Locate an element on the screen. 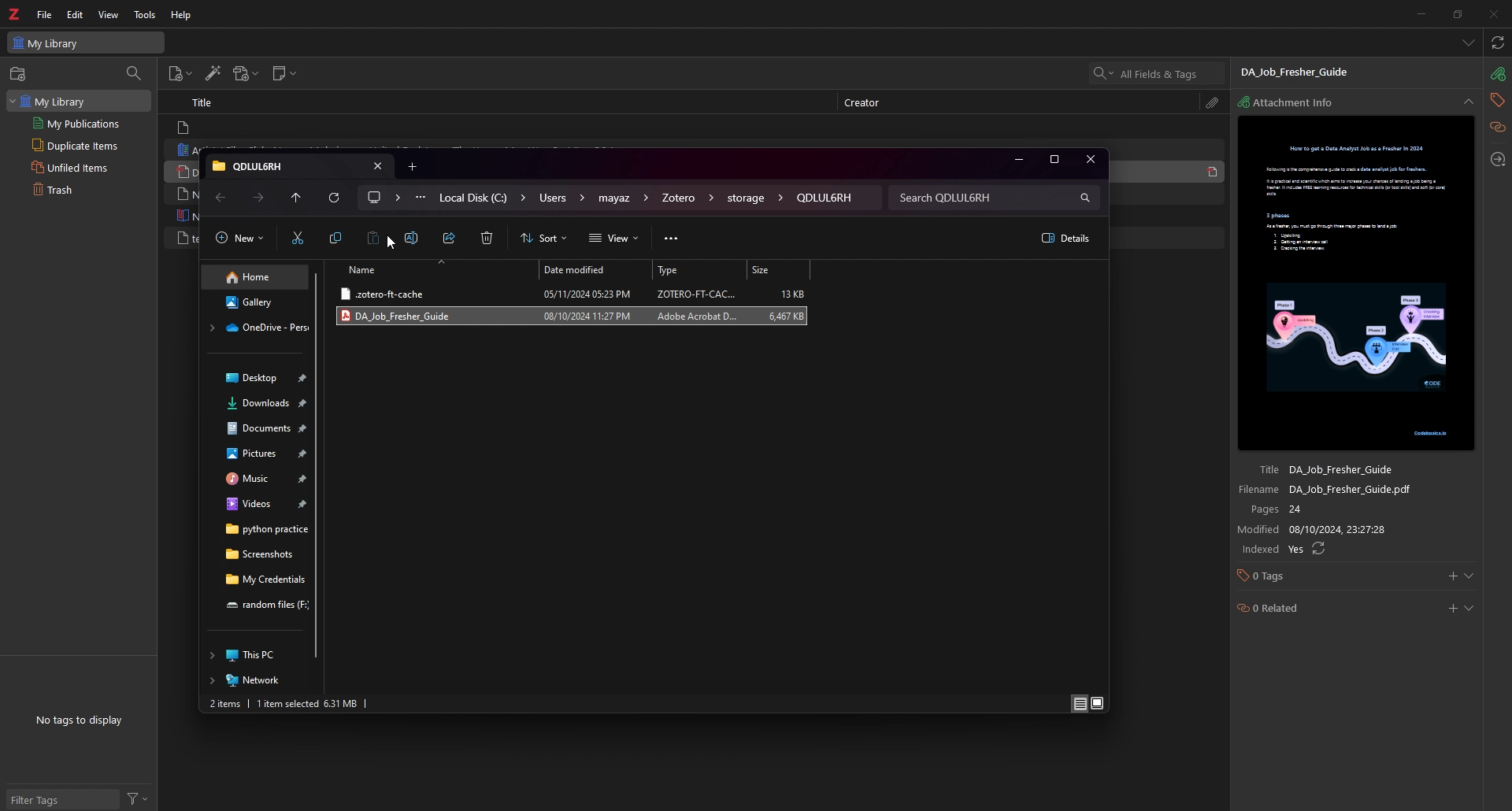  display info is located at coordinates (1077, 703).